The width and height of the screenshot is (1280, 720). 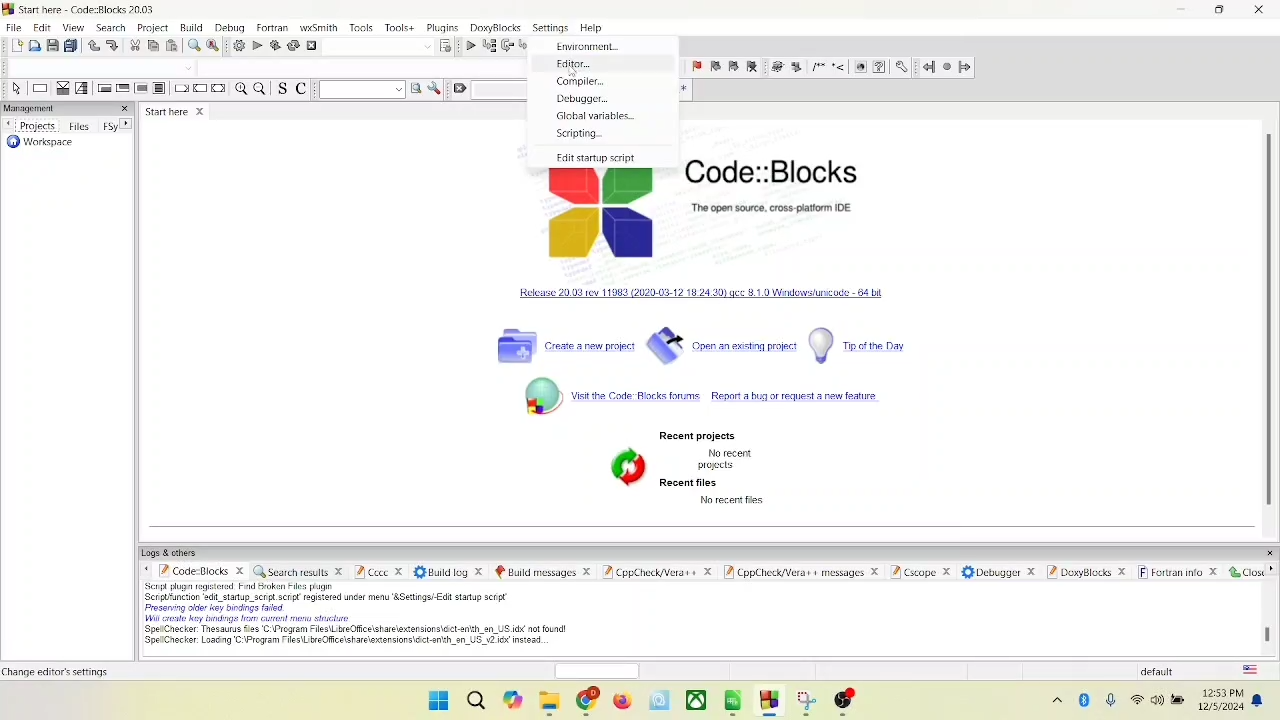 I want to click on search, so click(x=477, y=701).